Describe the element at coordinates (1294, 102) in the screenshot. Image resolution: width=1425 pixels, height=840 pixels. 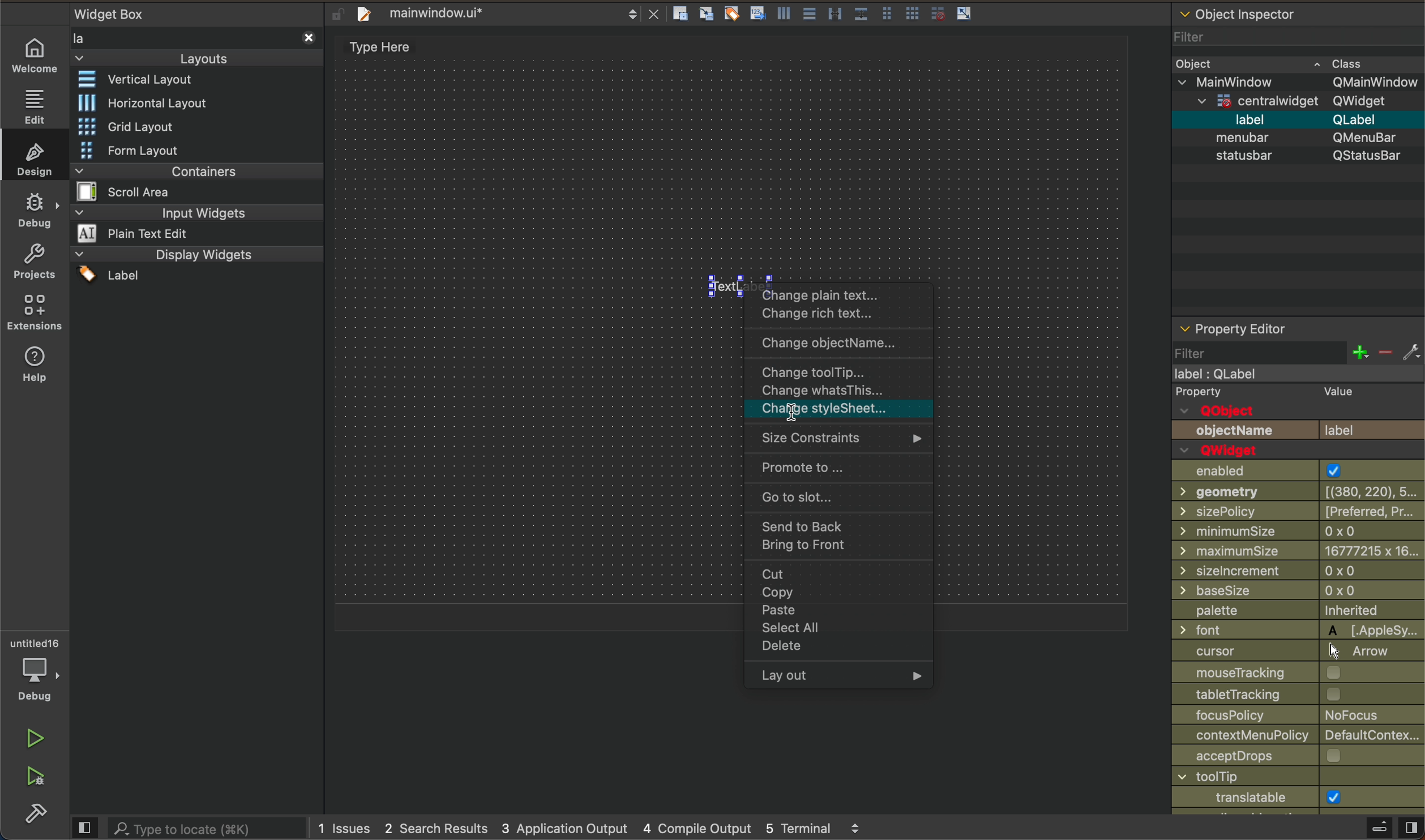
I see `qwidget` at that location.